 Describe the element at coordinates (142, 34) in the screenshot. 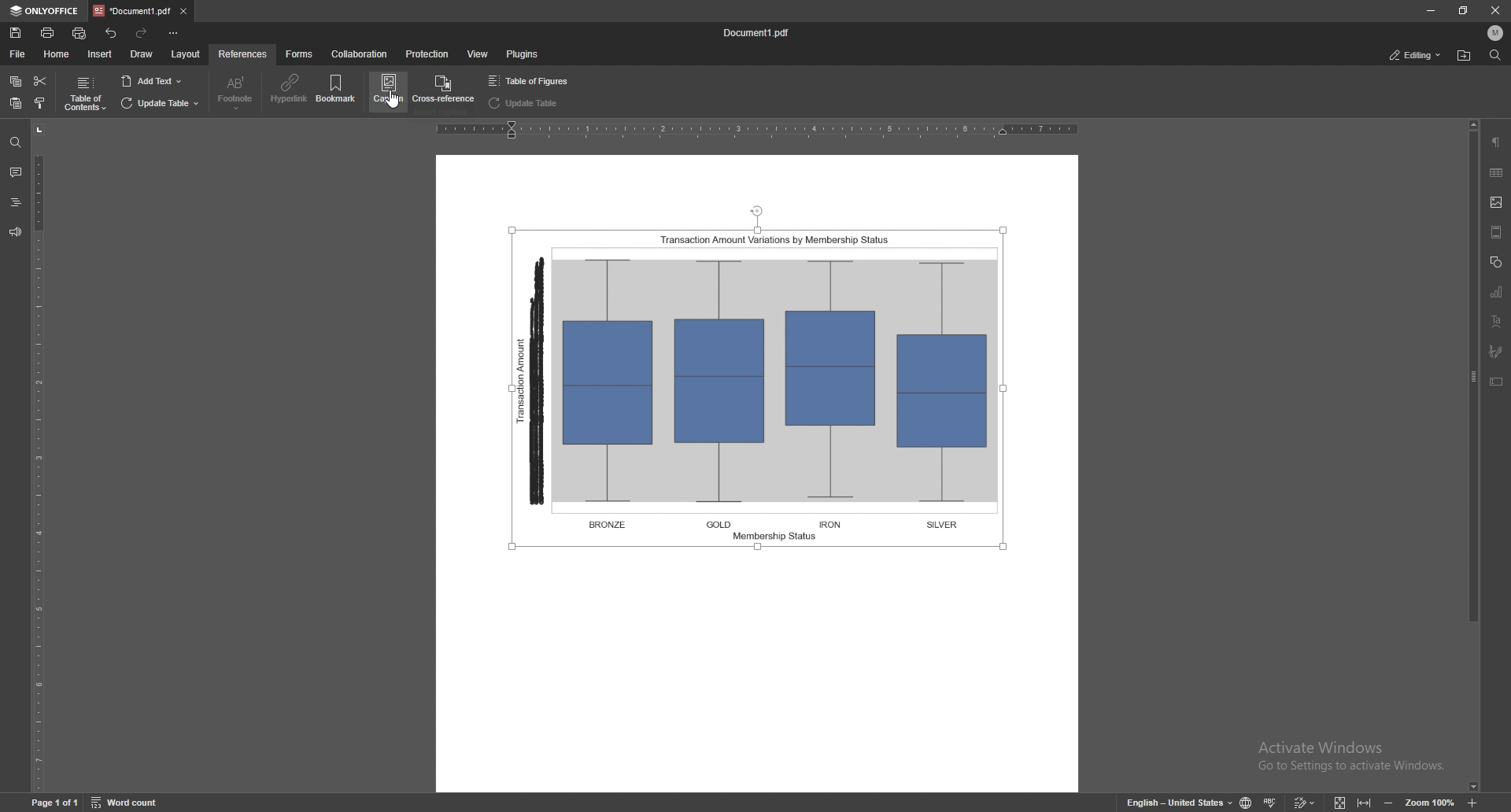

I see `redo` at that location.